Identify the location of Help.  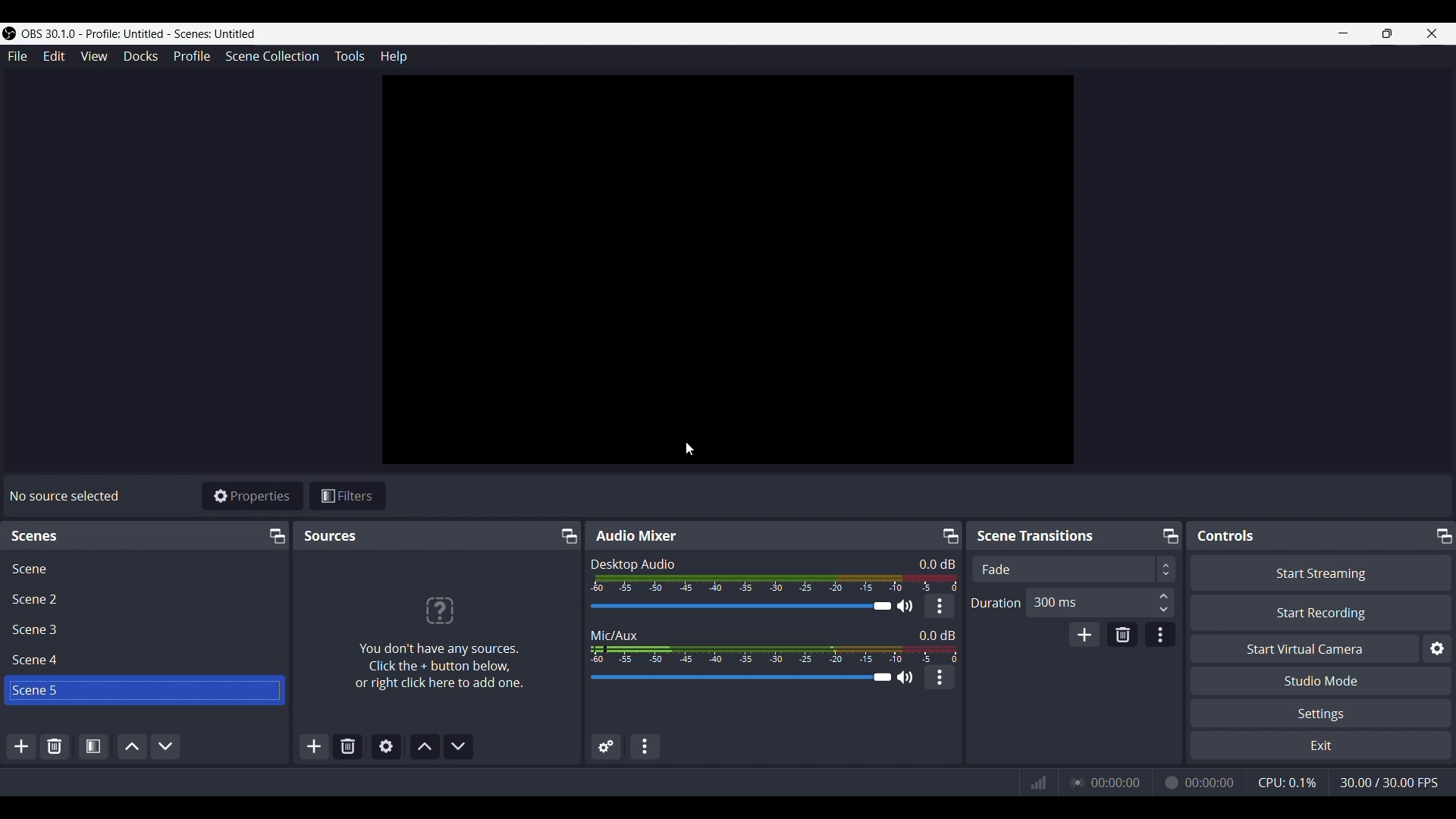
(393, 56).